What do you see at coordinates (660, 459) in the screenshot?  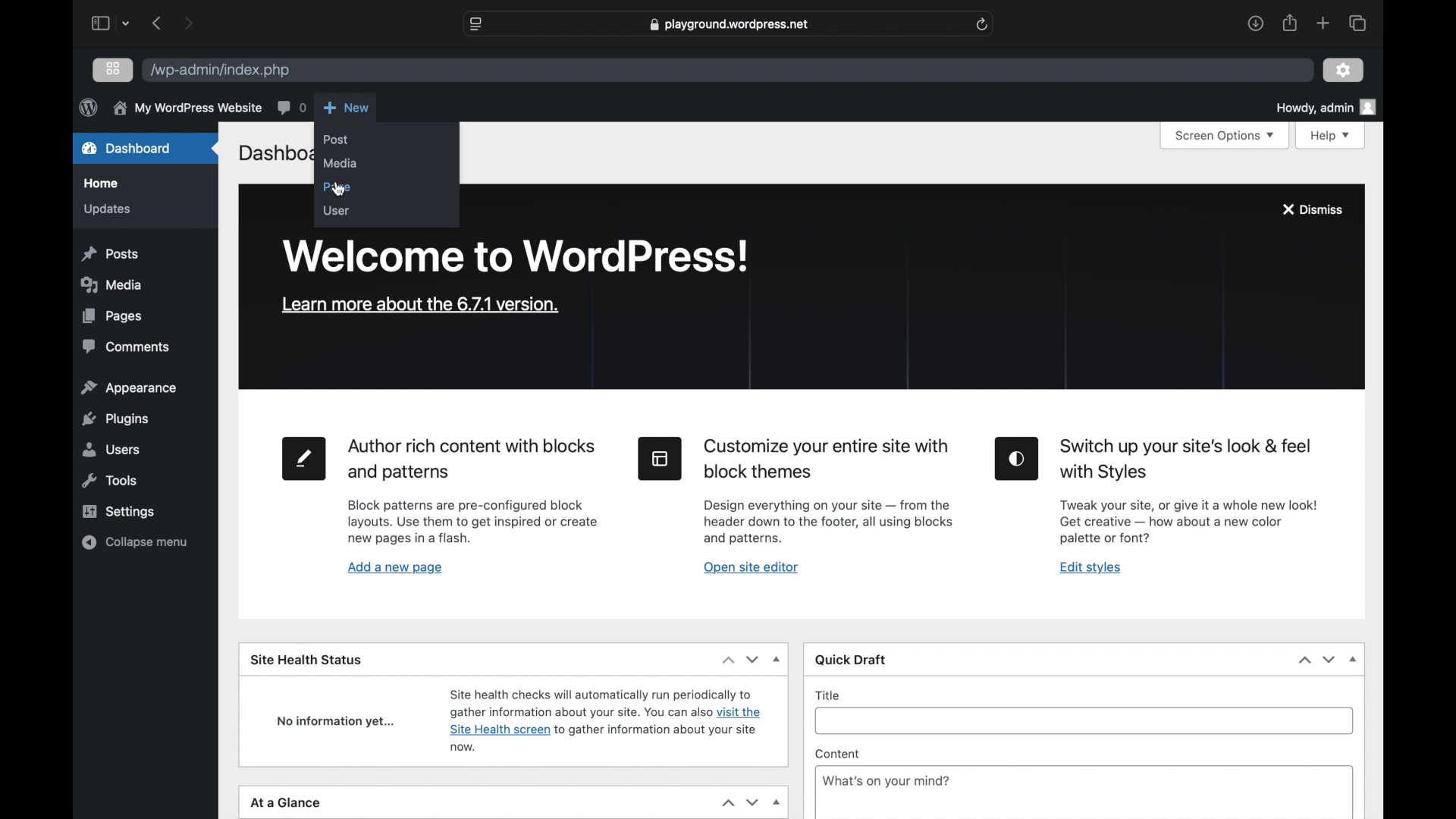 I see `icon` at bounding box center [660, 459].